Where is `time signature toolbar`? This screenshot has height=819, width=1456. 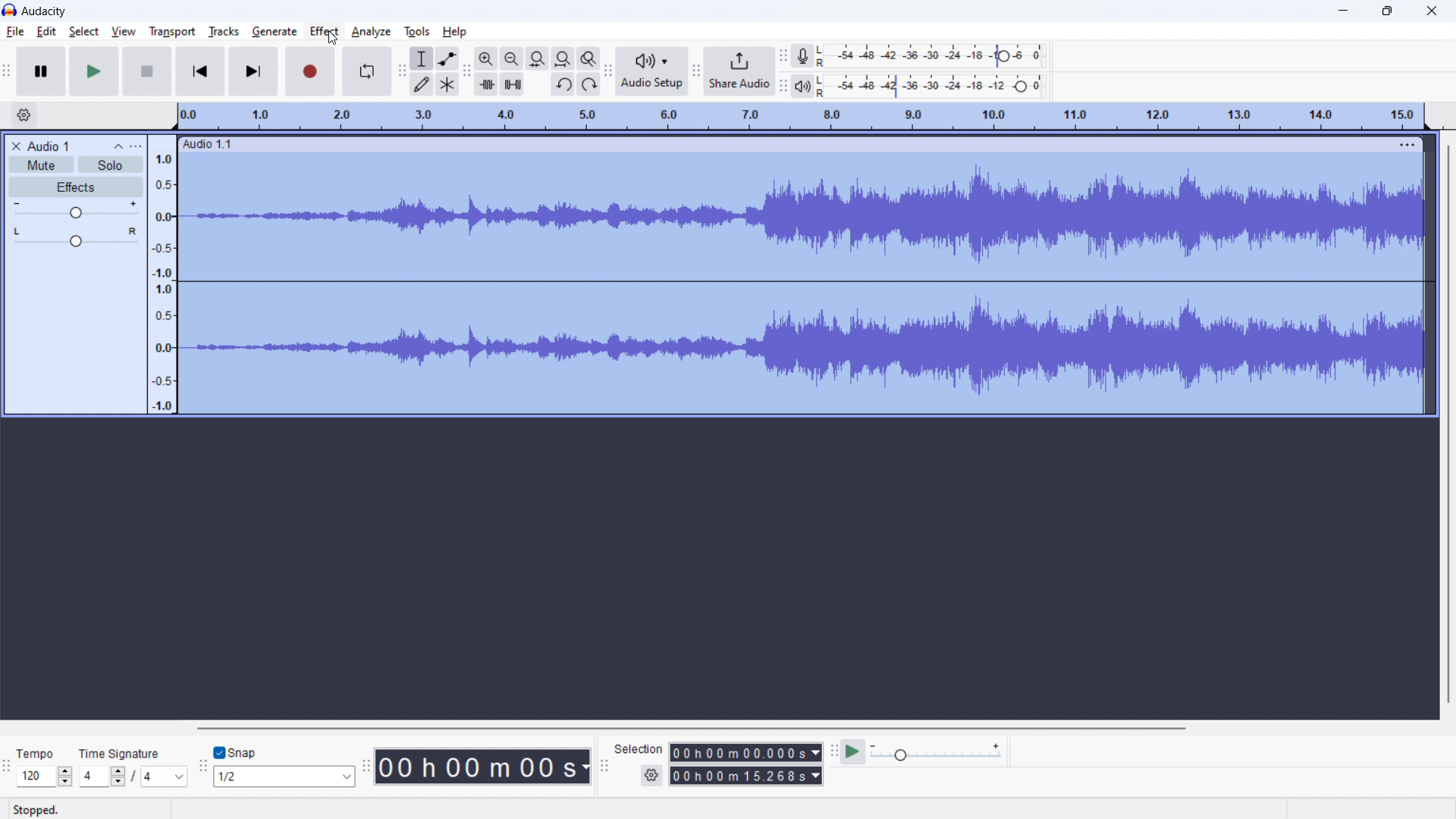
time signature toolbar is located at coordinates (8, 769).